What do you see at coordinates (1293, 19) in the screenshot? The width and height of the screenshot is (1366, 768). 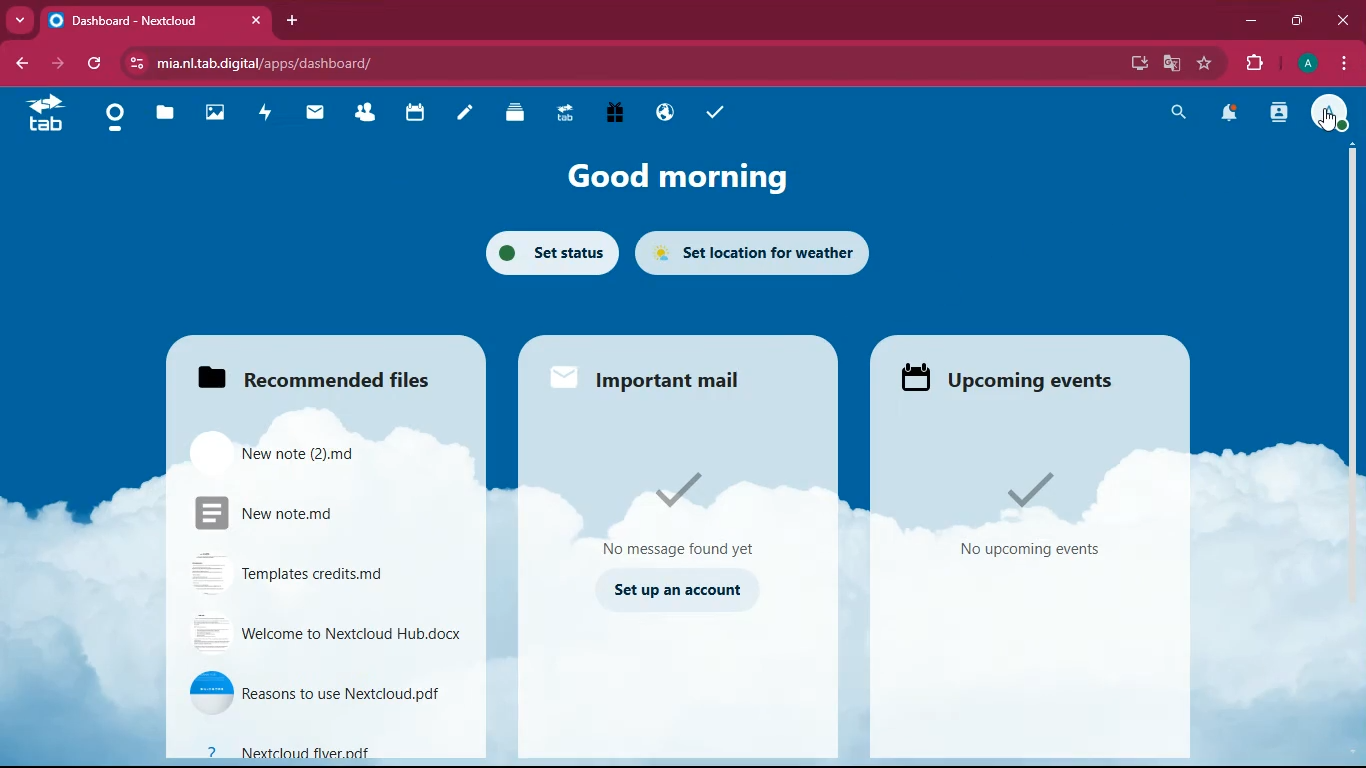 I see `maximize` at bounding box center [1293, 19].